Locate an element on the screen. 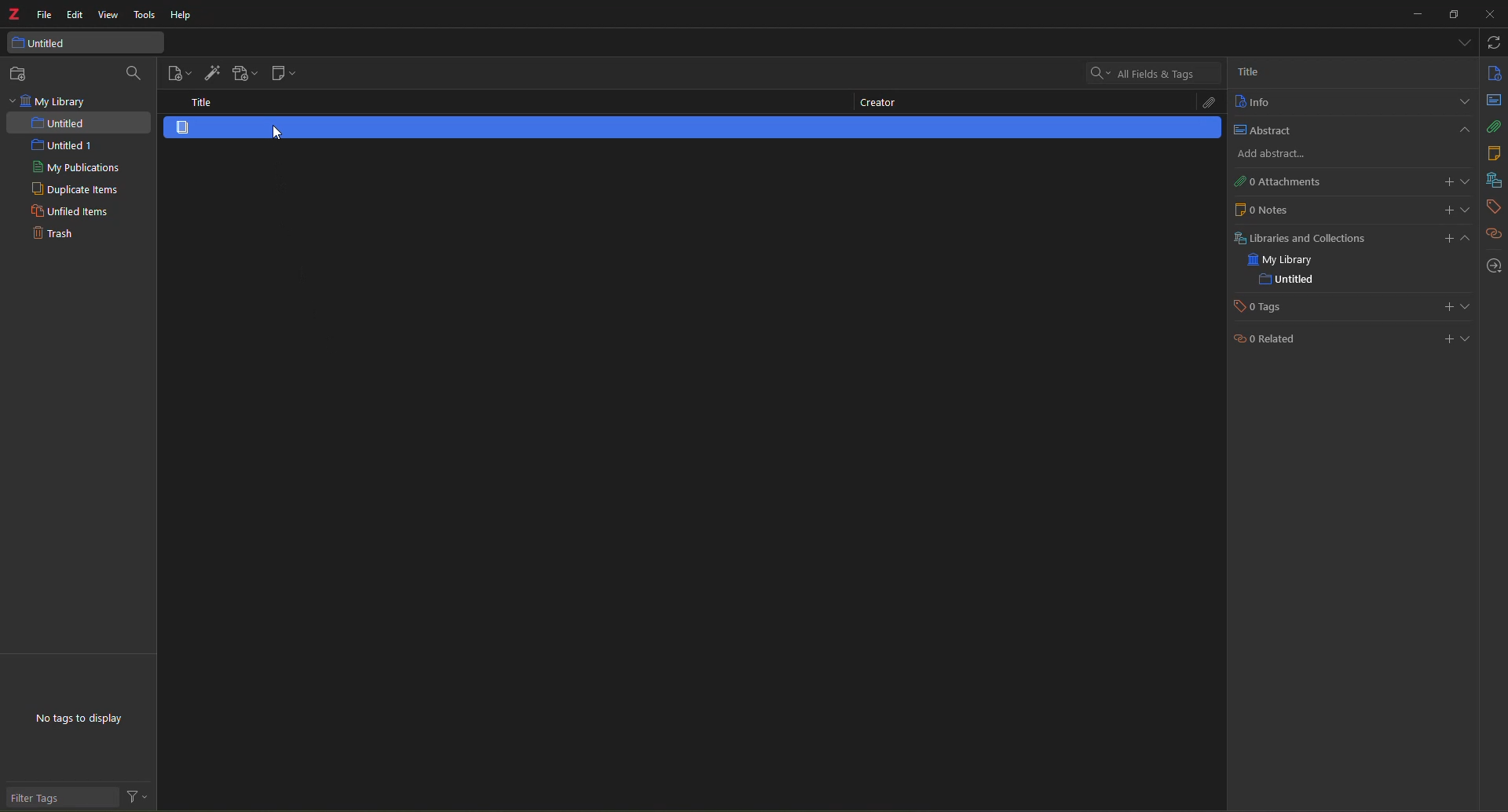 The width and height of the screenshot is (1508, 812). note is located at coordinates (1261, 209).